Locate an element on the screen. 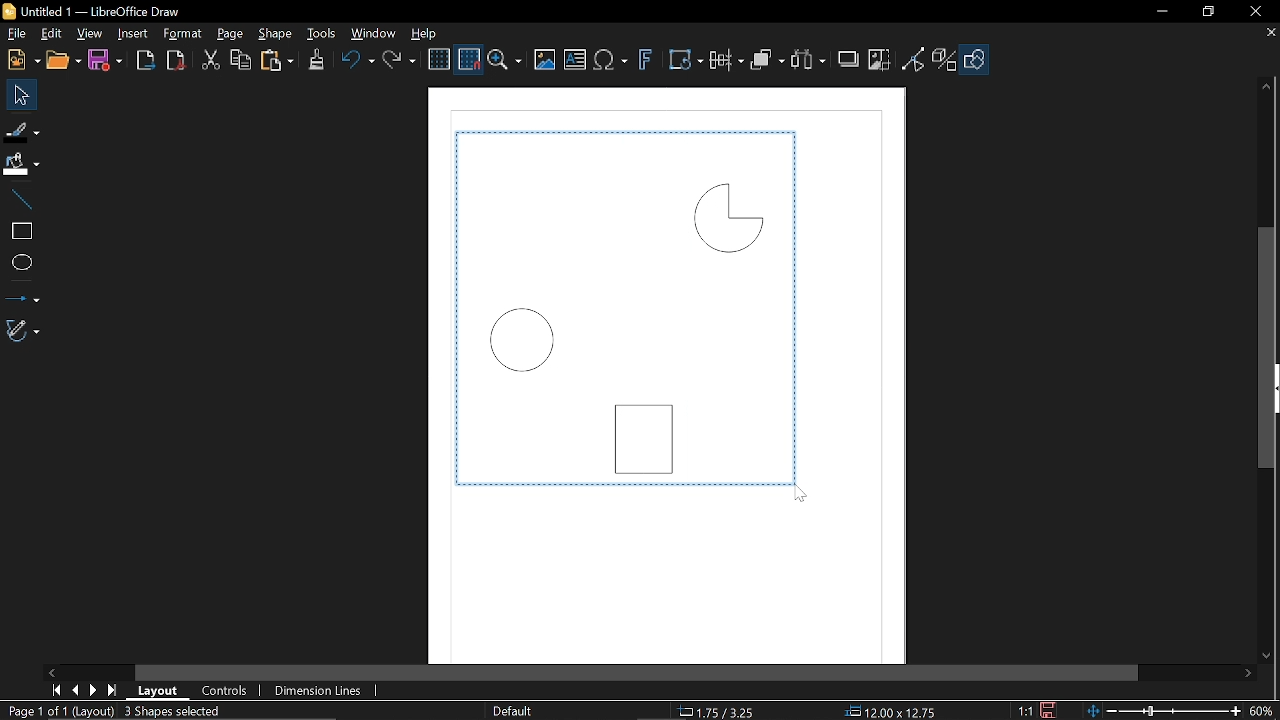 The height and width of the screenshot is (720, 1280). Ellipse is located at coordinates (20, 263).